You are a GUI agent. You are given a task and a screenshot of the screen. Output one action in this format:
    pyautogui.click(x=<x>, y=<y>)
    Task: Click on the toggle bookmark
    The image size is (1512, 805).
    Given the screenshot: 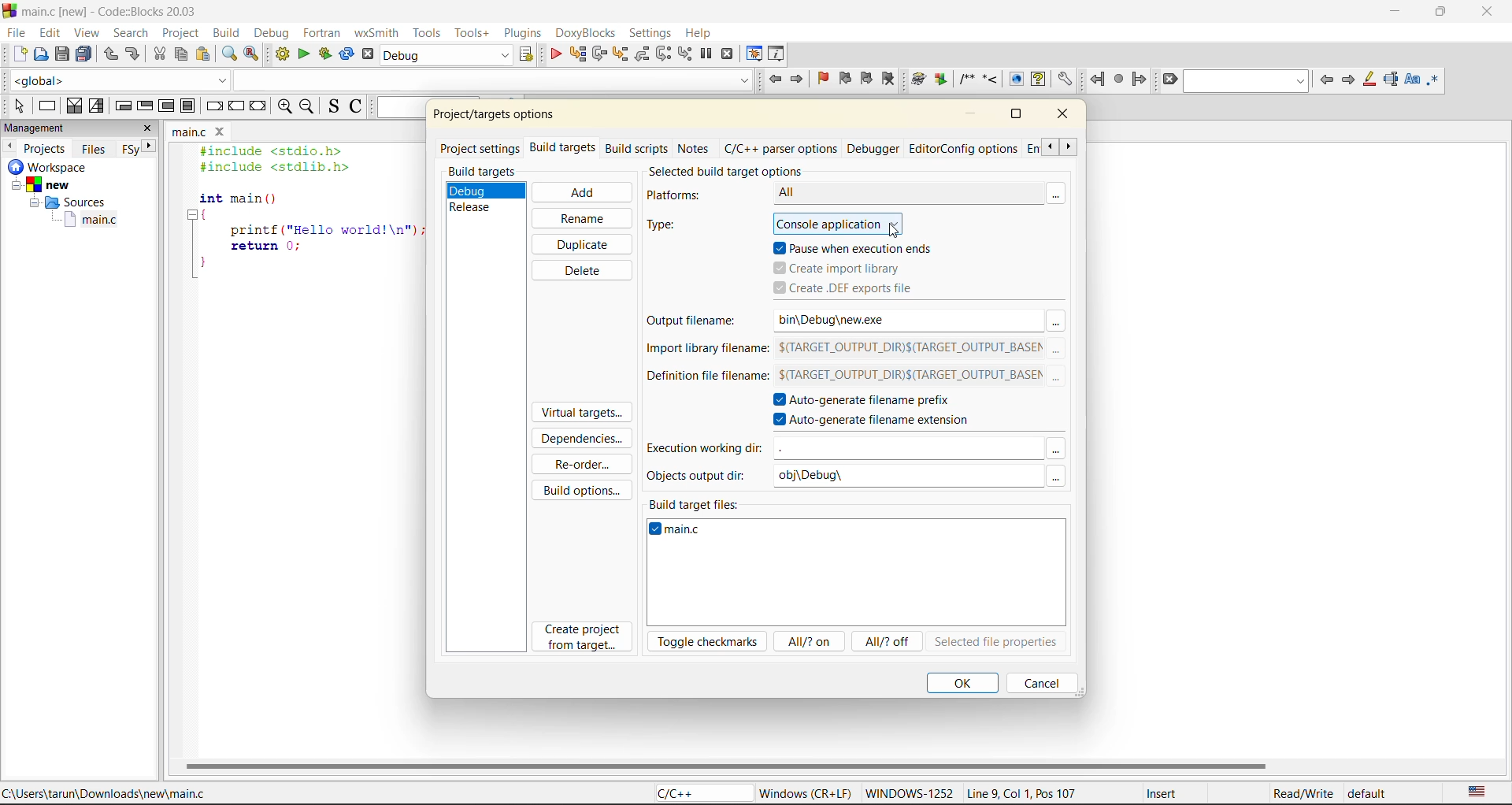 What is the action you would take?
    pyautogui.click(x=825, y=78)
    